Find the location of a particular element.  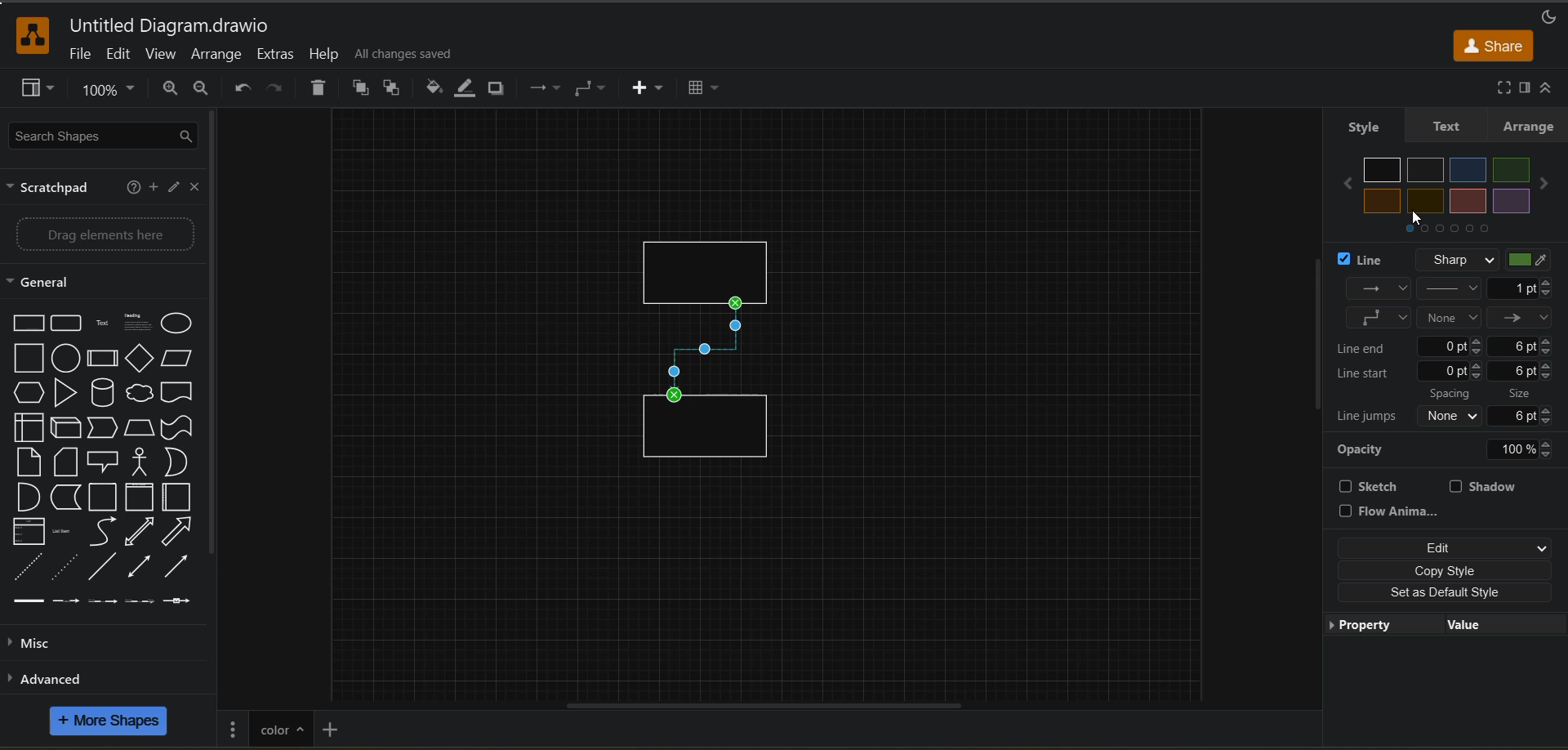

close is located at coordinates (196, 189).